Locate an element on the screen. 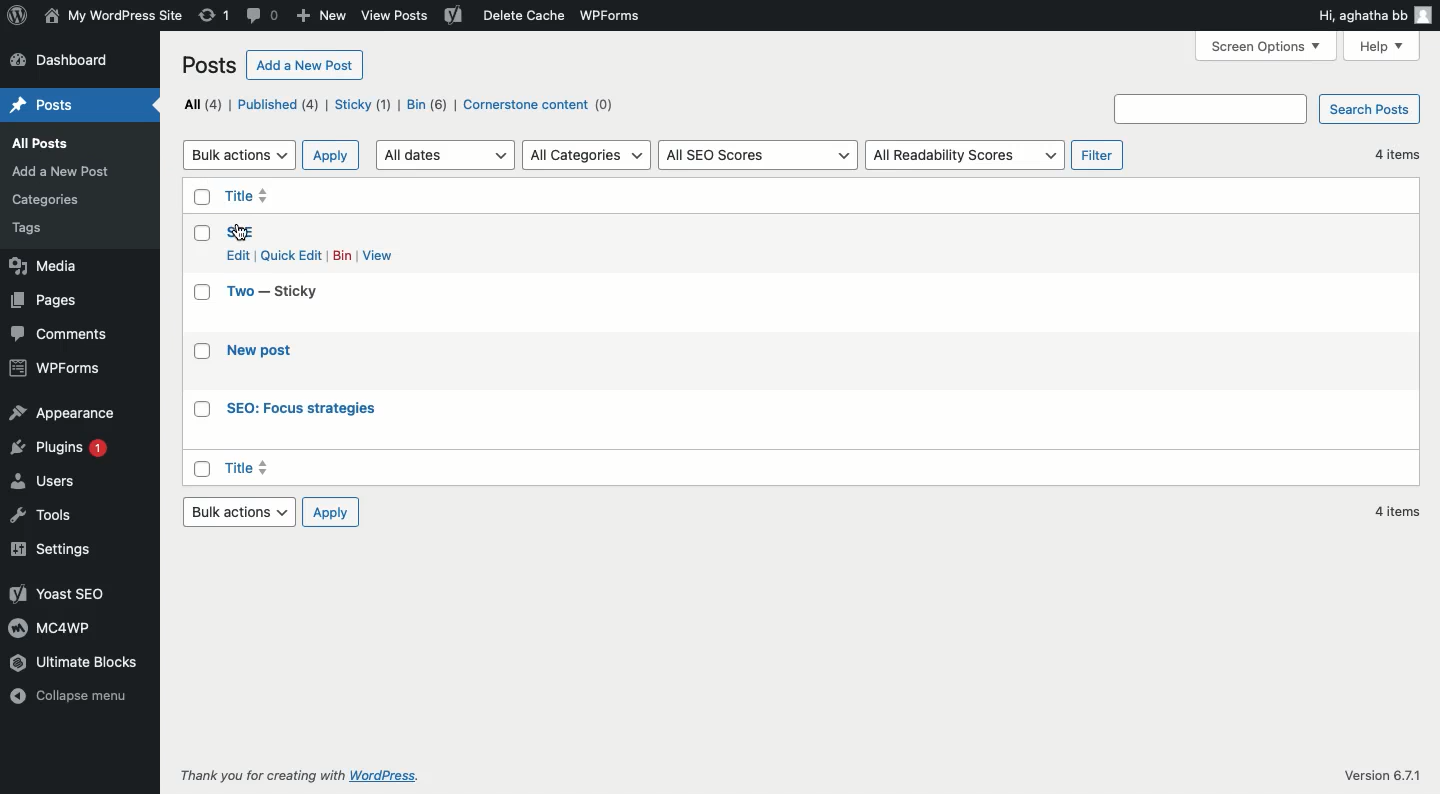  Bin is located at coordinates (426, 104).